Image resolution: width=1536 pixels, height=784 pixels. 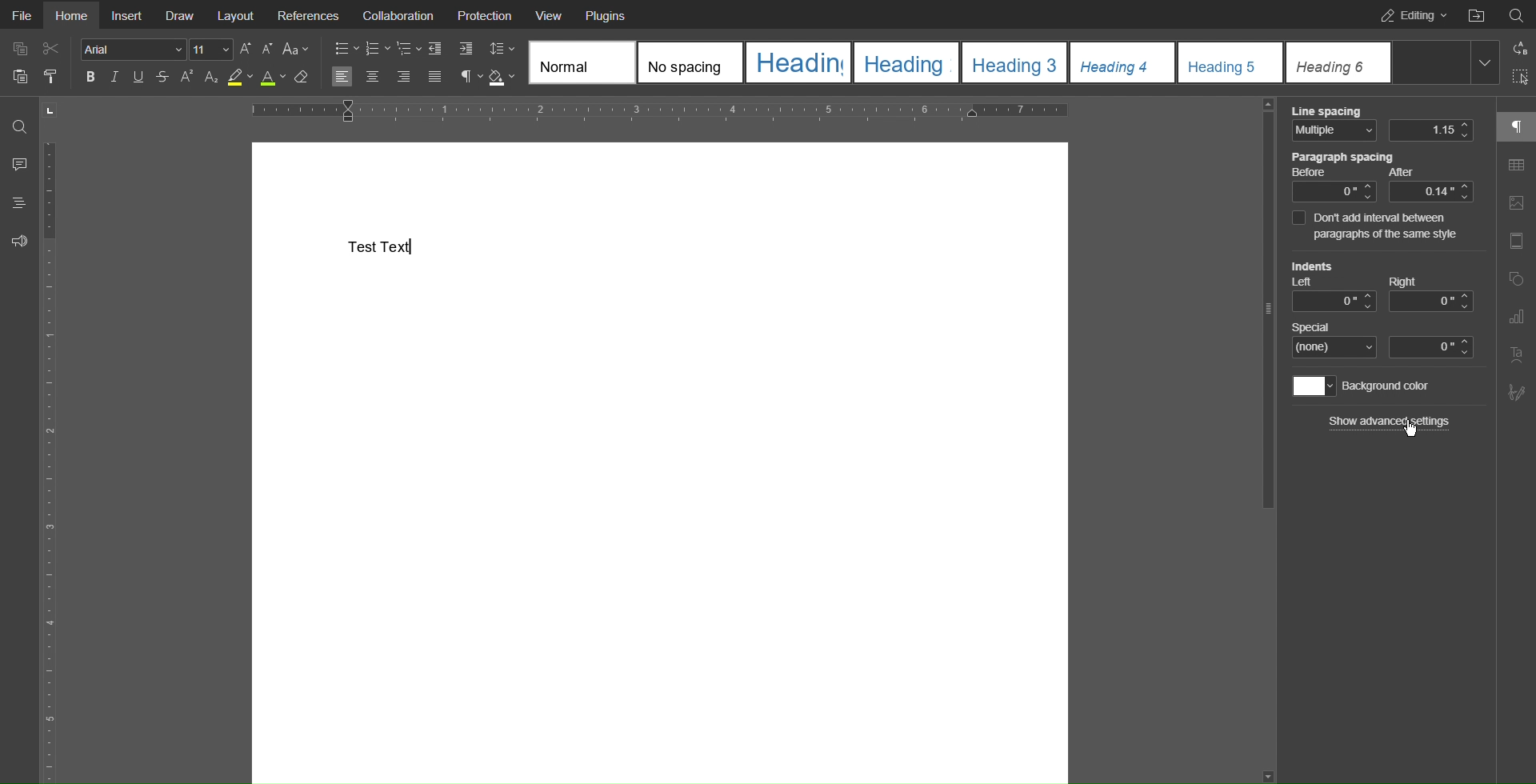 What do you see at coordinates (1382, 177) in the screenshot?
I see `Paragraph spacing` at bounding box center [1382, 177].